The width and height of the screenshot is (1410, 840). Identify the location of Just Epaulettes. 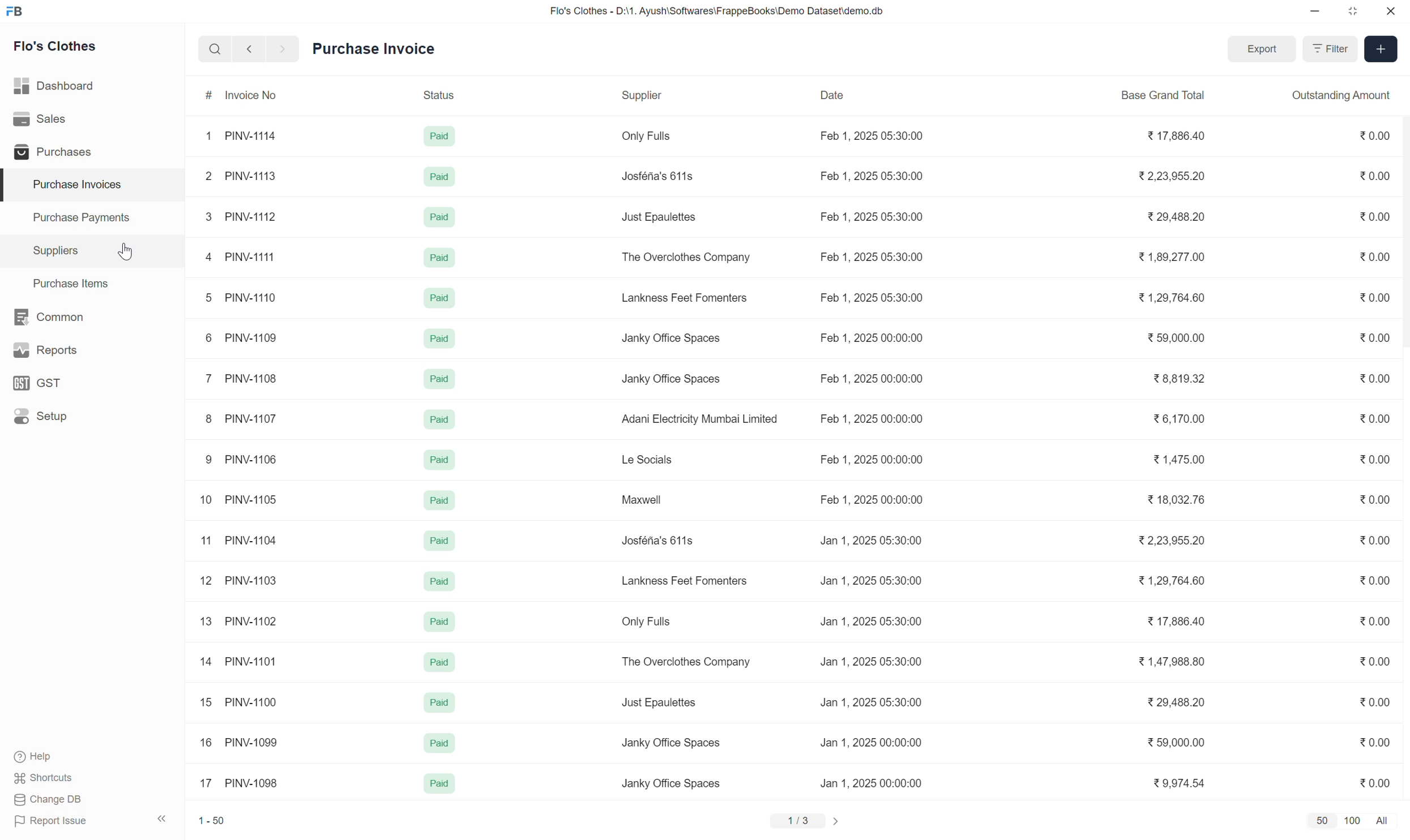
(659, 703).